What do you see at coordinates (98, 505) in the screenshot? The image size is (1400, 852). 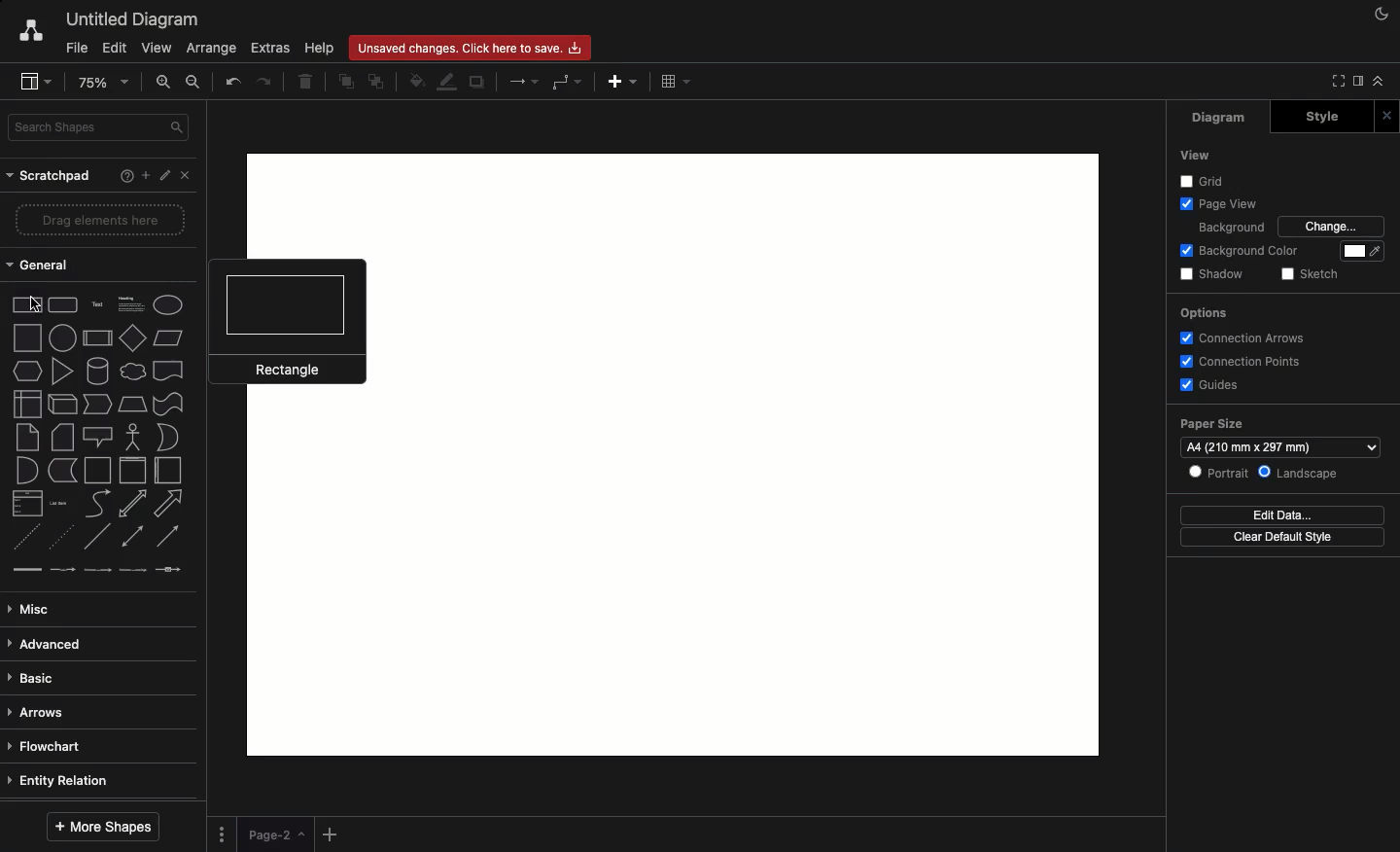 I see `curve` at bounding box center [98, 505].